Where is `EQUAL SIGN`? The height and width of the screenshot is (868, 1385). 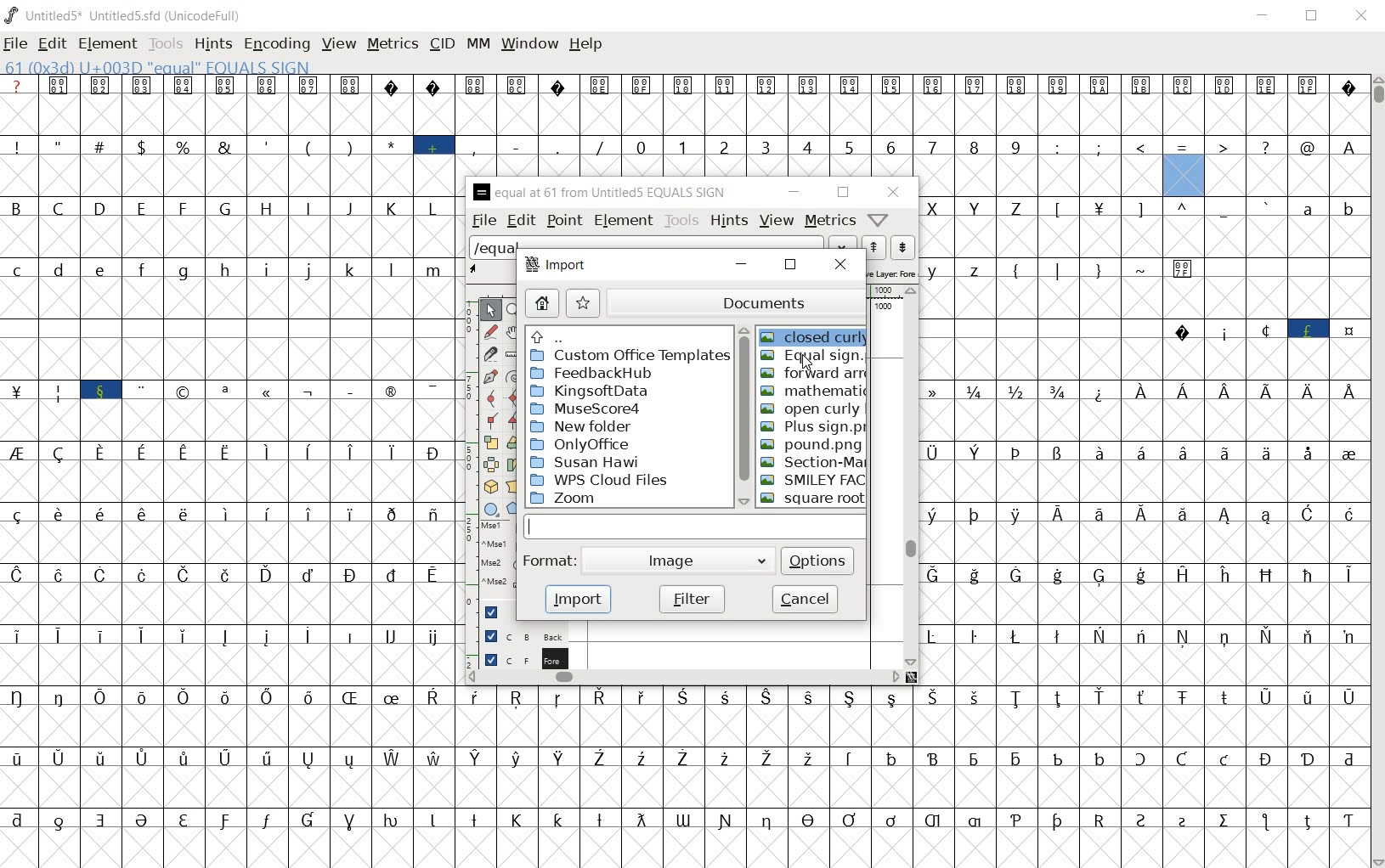
EQUAL SIGN is located at coordinates (812, 355).